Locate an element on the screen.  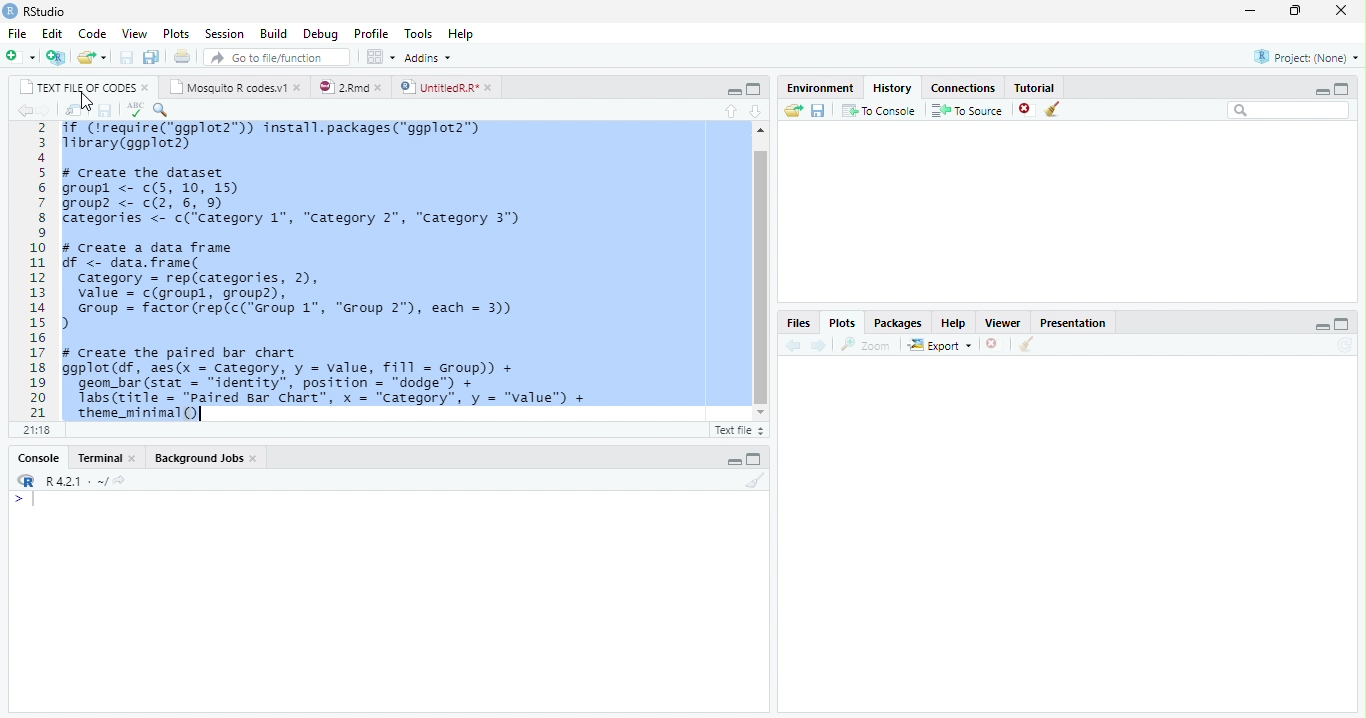
21:18 is located at coordinates (39, 430).